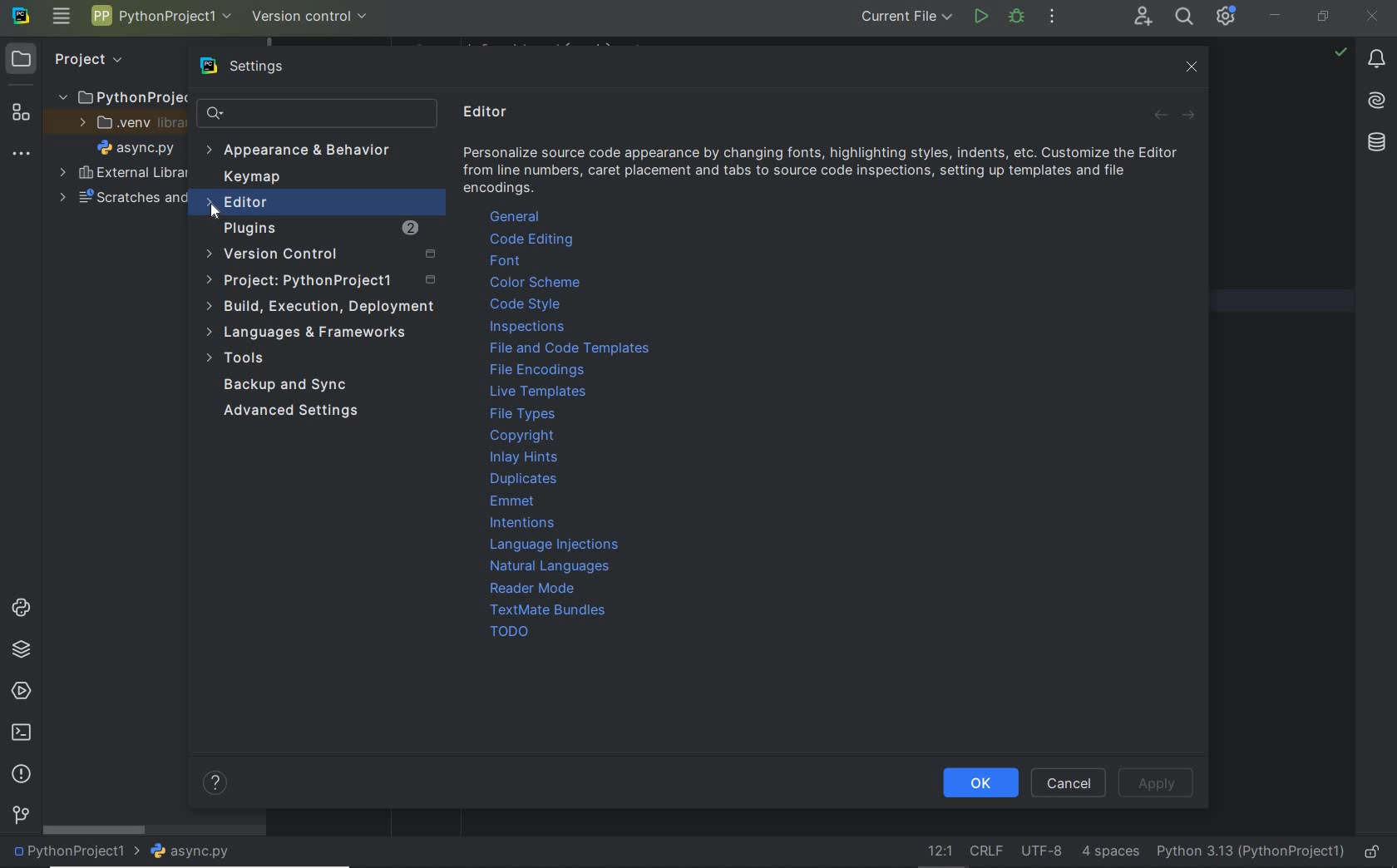 The image size is (1397, 868). What do you see at coordinates (1142, 18) in the screenshot?
I see `code with me` at bounding box center [1142, 18].